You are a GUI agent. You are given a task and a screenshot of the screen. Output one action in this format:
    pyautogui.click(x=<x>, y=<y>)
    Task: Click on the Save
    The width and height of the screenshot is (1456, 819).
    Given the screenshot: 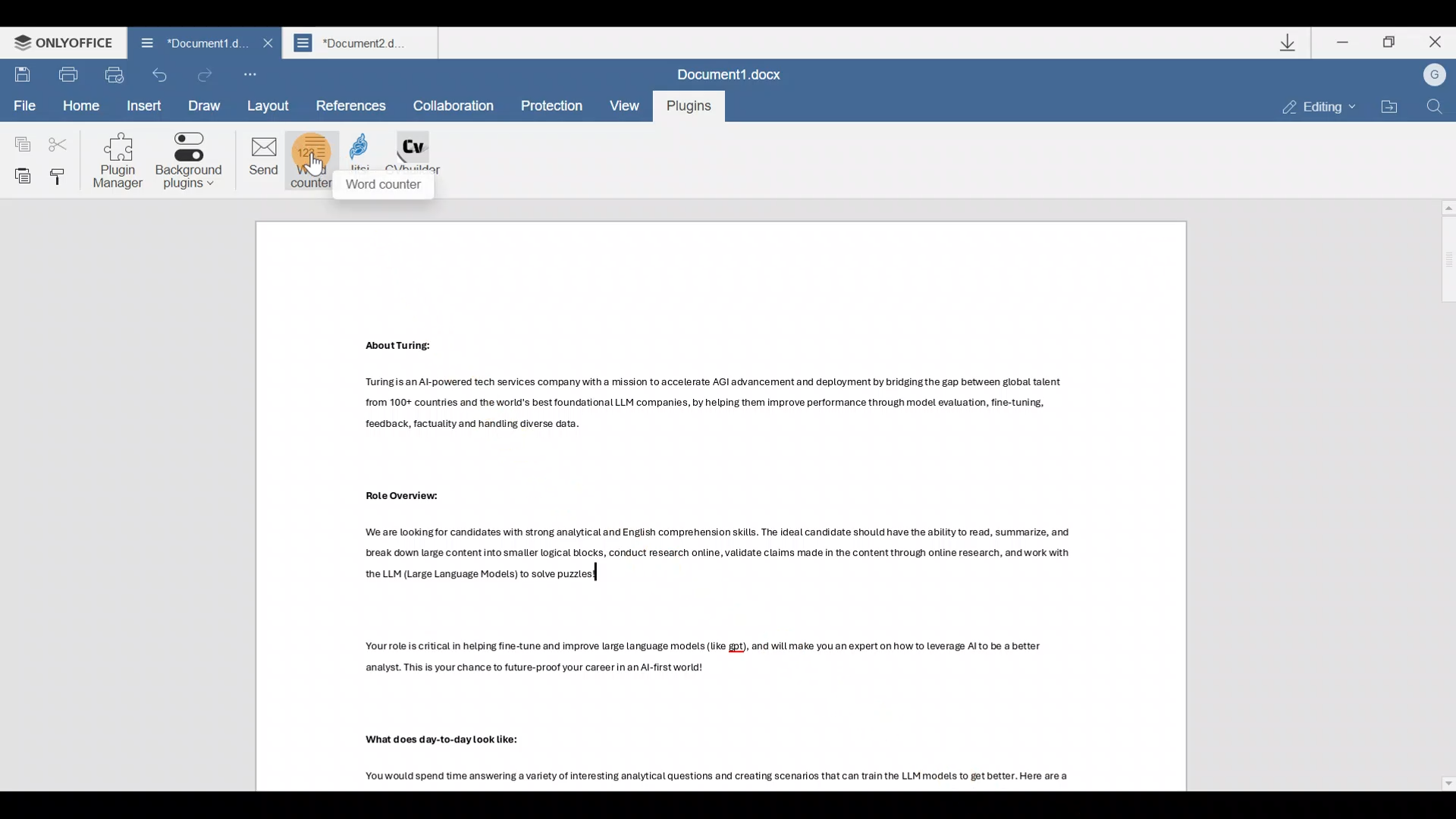 What is the action you would take?
    pyautogui.click(x=22, y=76)
    